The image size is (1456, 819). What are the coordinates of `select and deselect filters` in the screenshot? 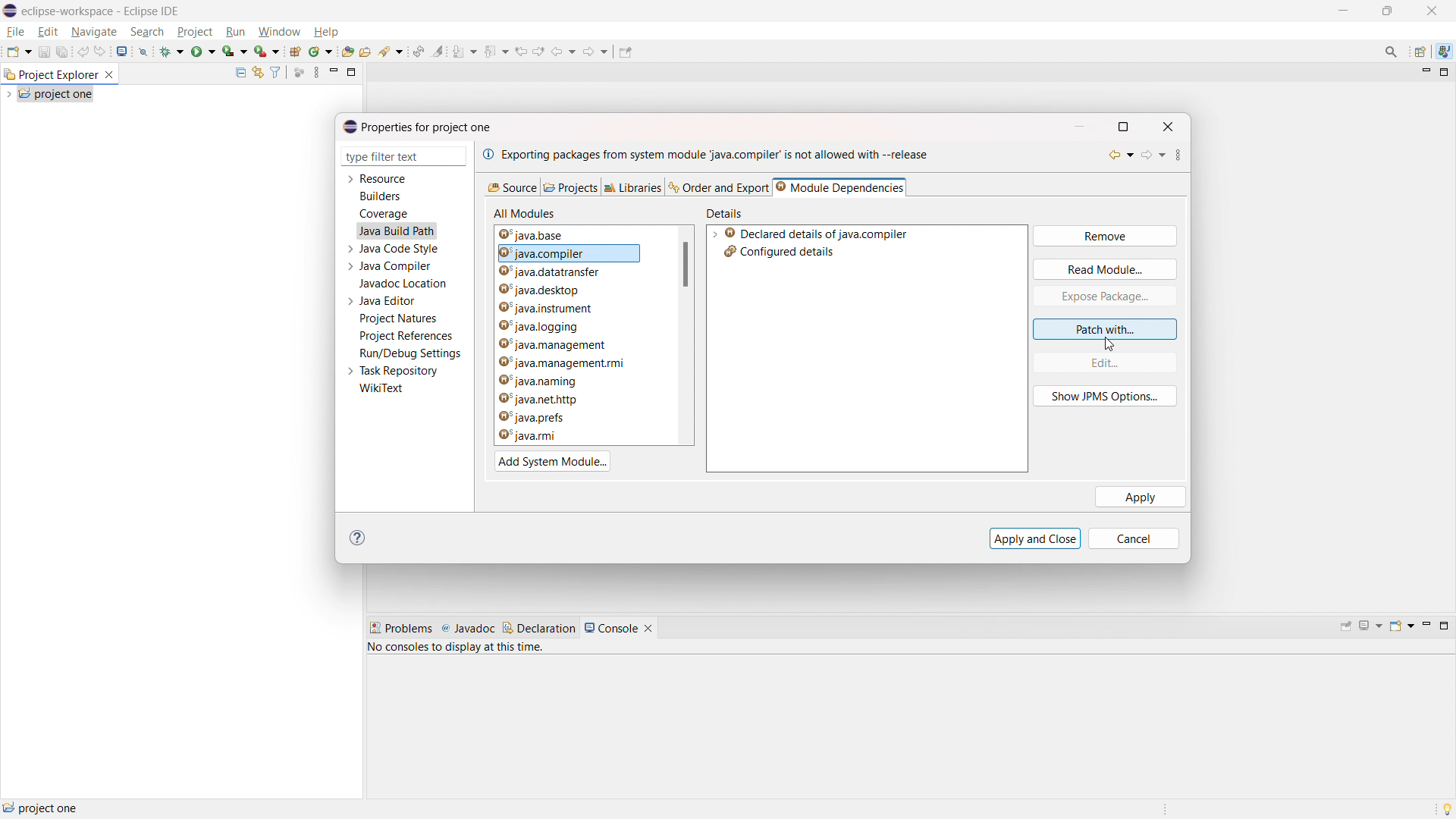 It's located at (275, 73).